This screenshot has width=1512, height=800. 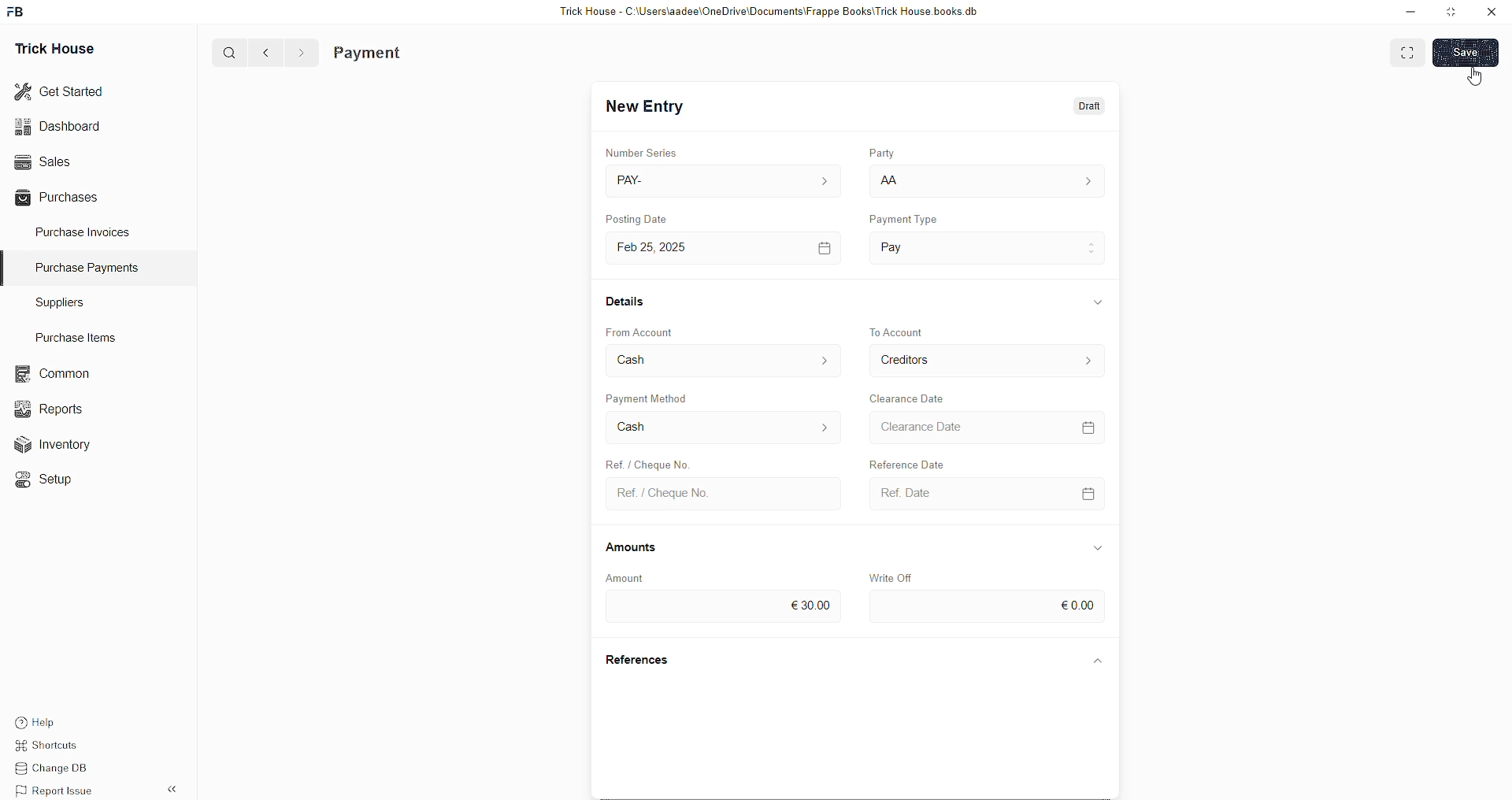 I want to click on «© Setup, so click(x=49, y=480).